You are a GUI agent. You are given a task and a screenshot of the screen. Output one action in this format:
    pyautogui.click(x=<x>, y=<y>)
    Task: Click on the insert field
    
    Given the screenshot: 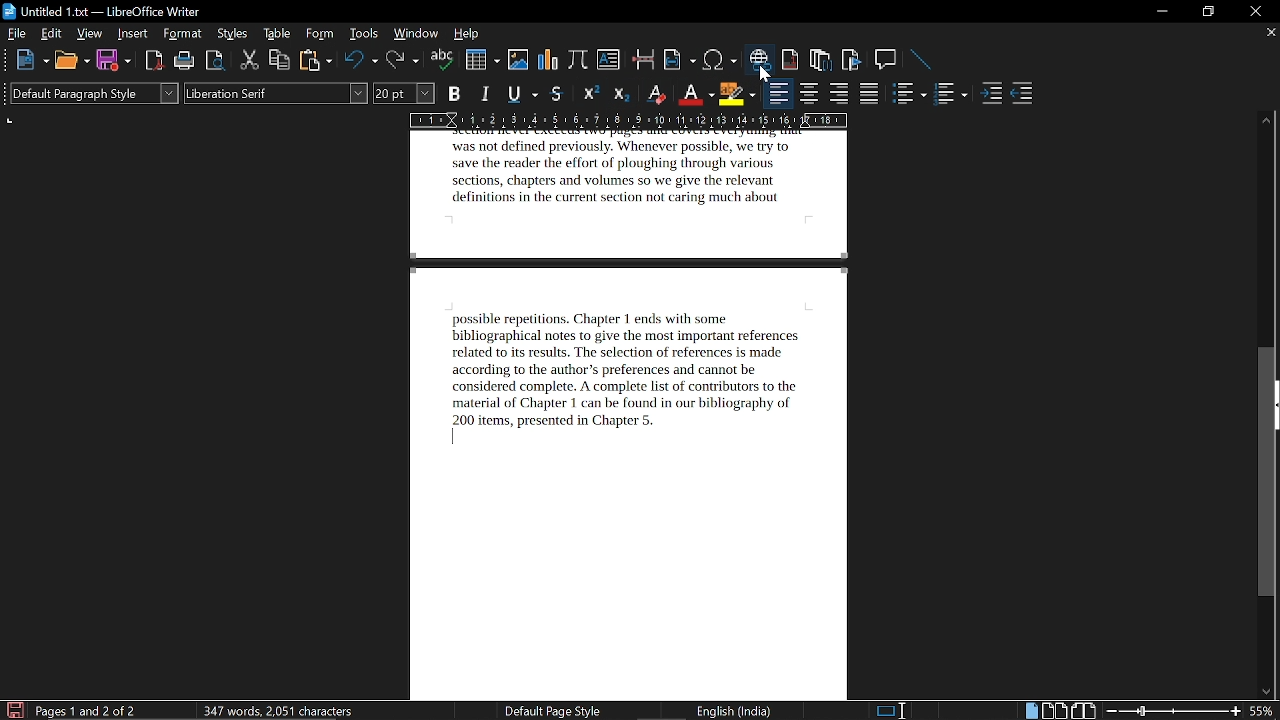 What is the action you would take?
    pyautogui.click(x=681, y=60)
    